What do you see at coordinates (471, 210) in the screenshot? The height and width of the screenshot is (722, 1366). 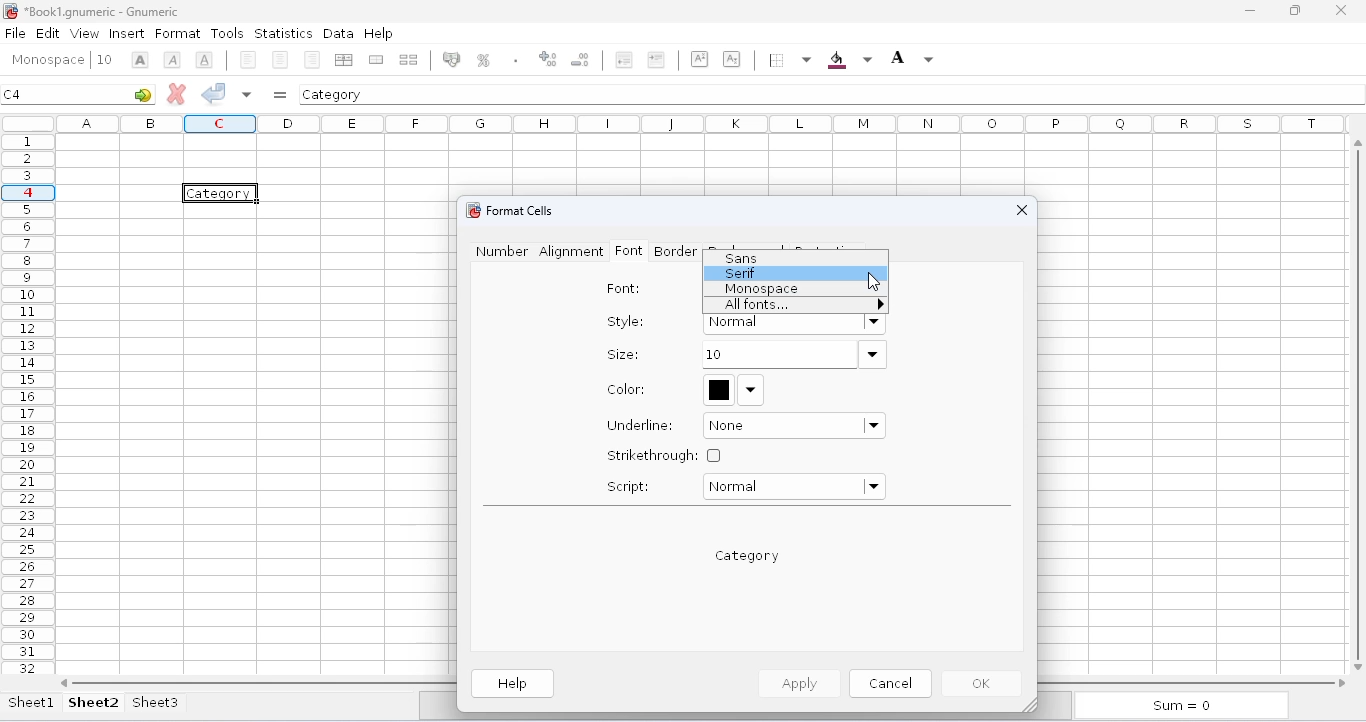 I see `logo` at bounding box center [471, 210].